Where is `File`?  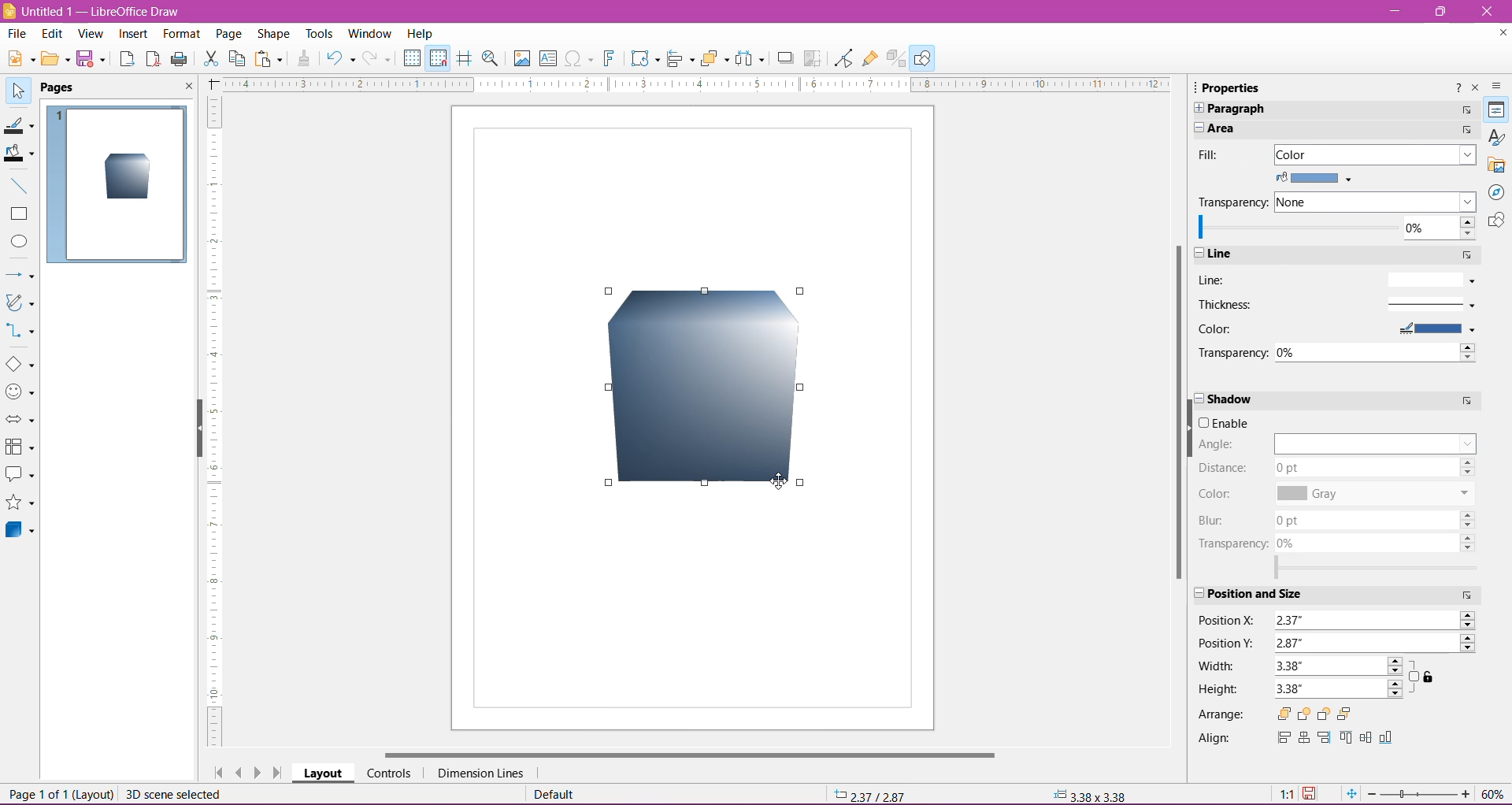 File is located at coordinates (17, 33).